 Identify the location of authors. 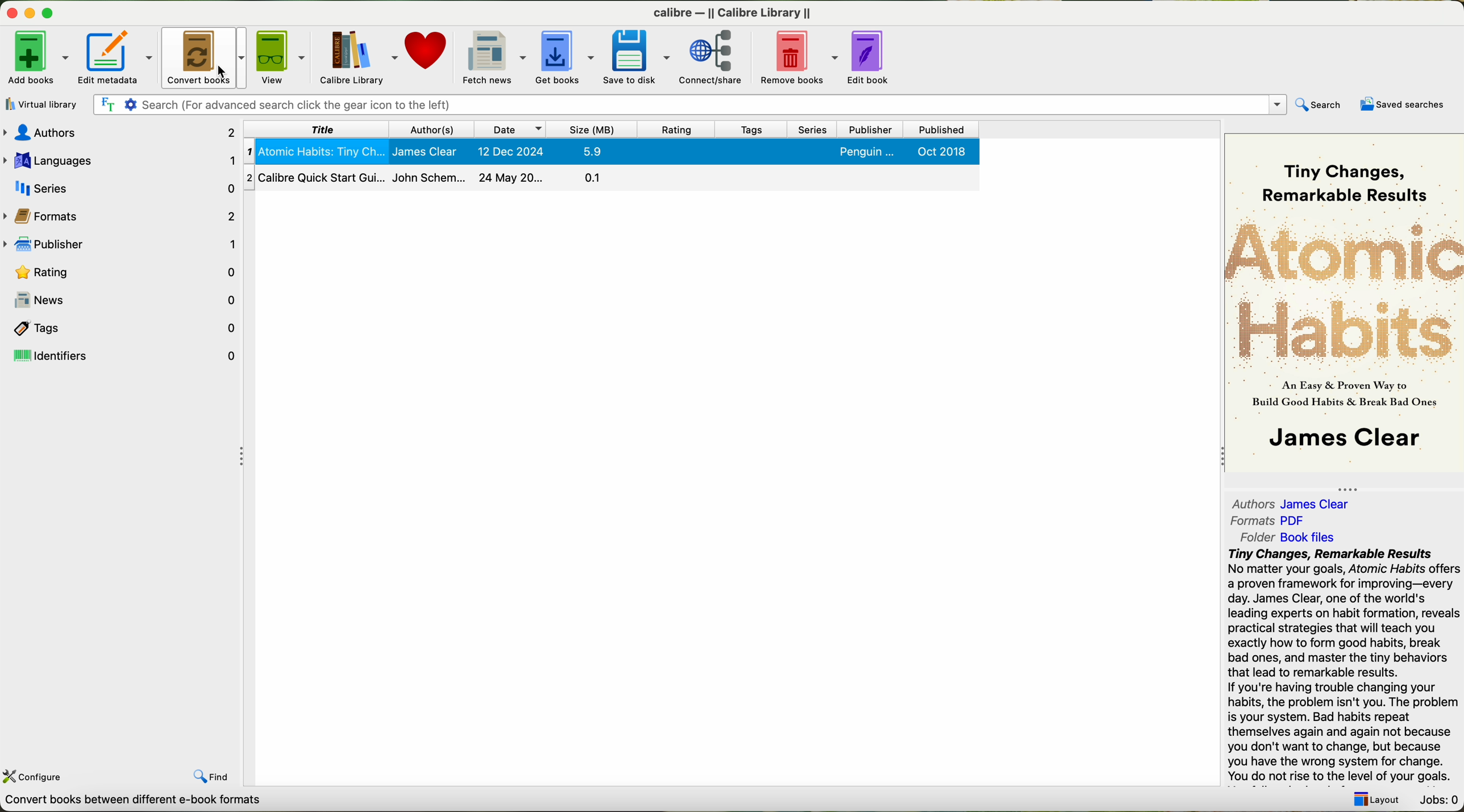
(1299, 503).